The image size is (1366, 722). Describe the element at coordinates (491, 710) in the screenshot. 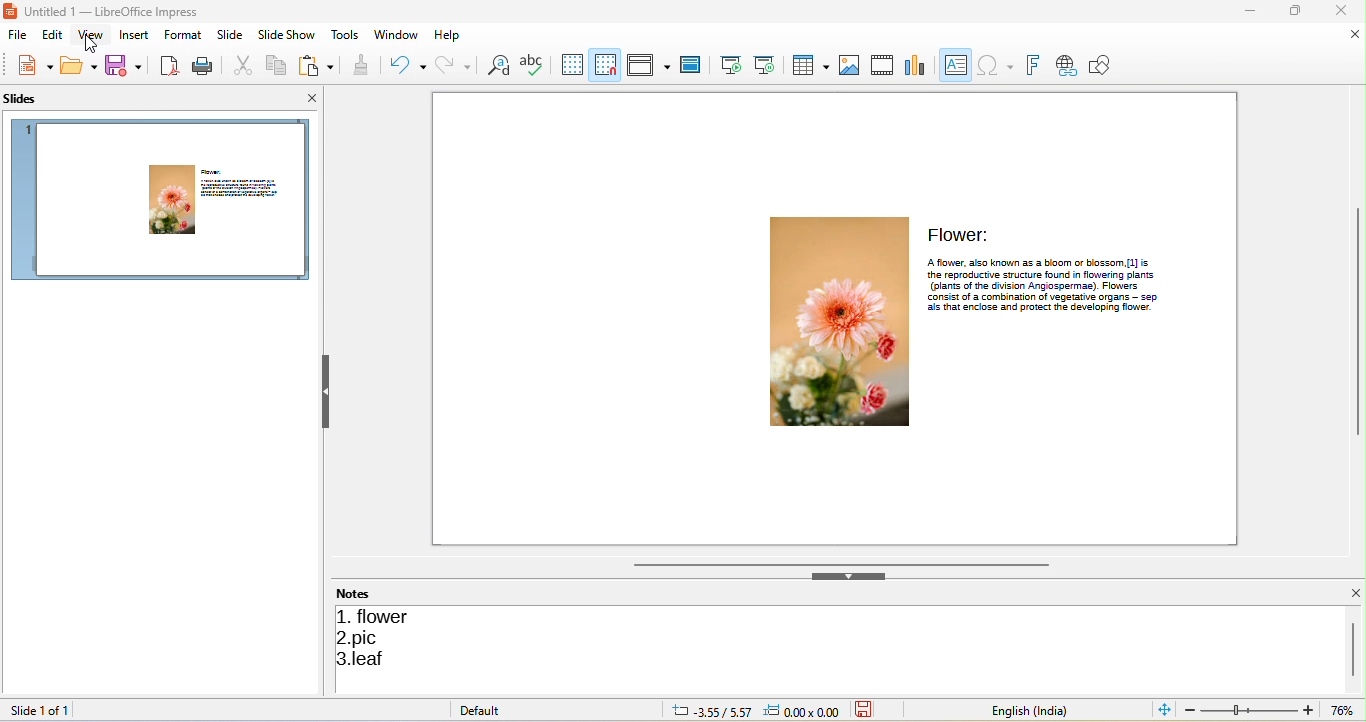

I see `default` at that location.